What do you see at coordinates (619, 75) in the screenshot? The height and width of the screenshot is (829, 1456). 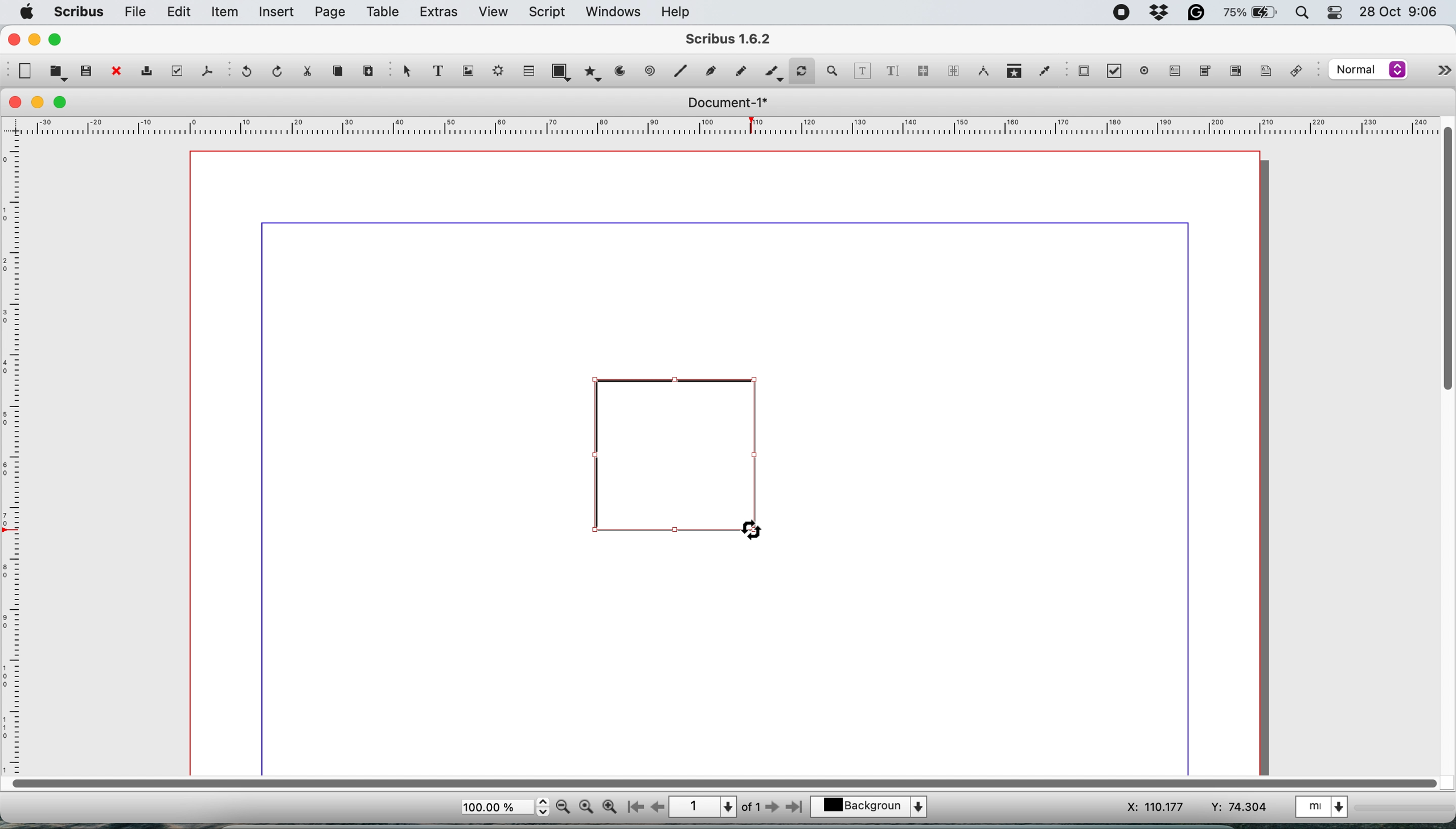 I see `arc` at bounding box center [619, 75].